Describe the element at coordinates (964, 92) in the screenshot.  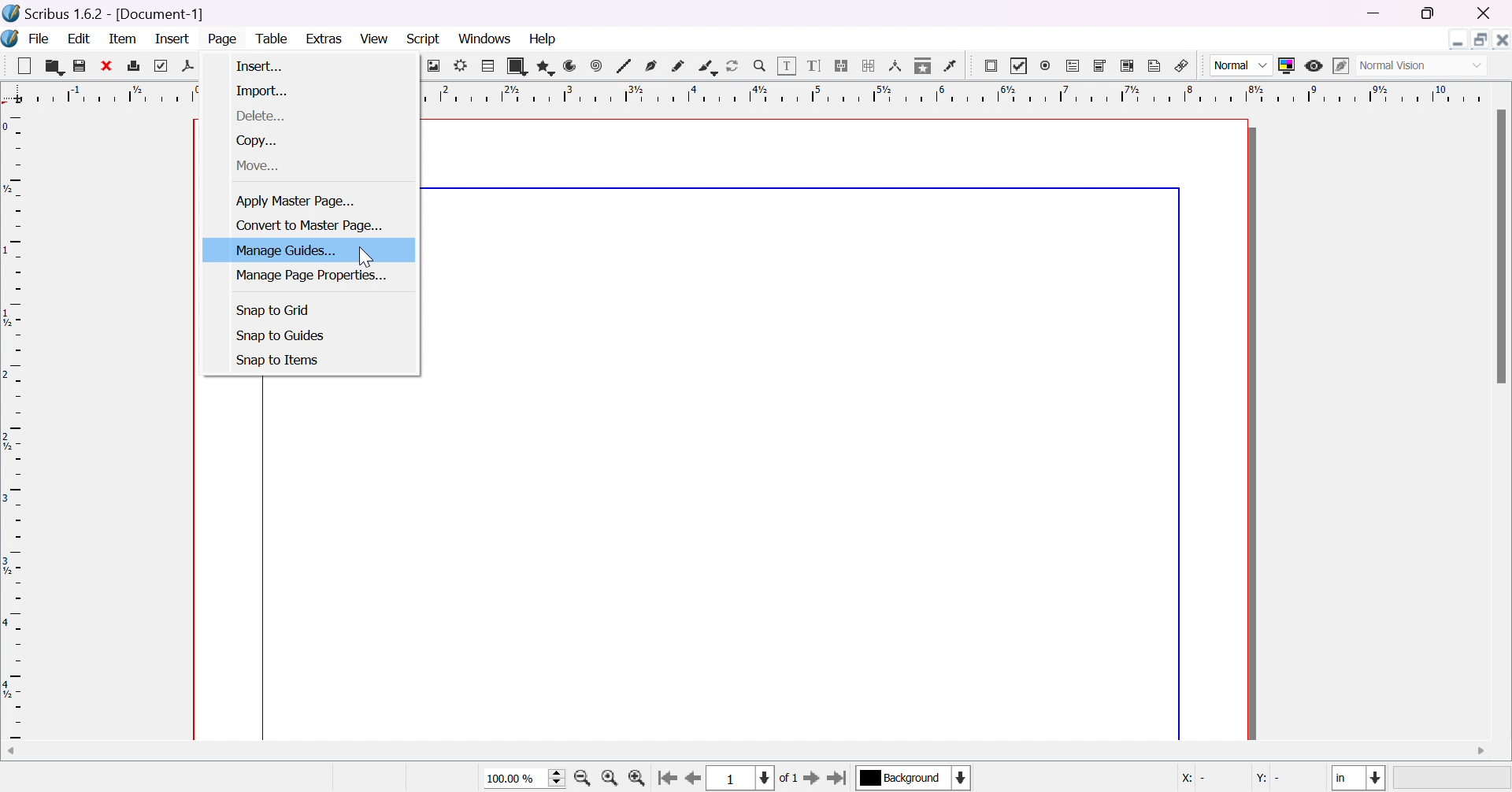
I see `ruler` at that location.